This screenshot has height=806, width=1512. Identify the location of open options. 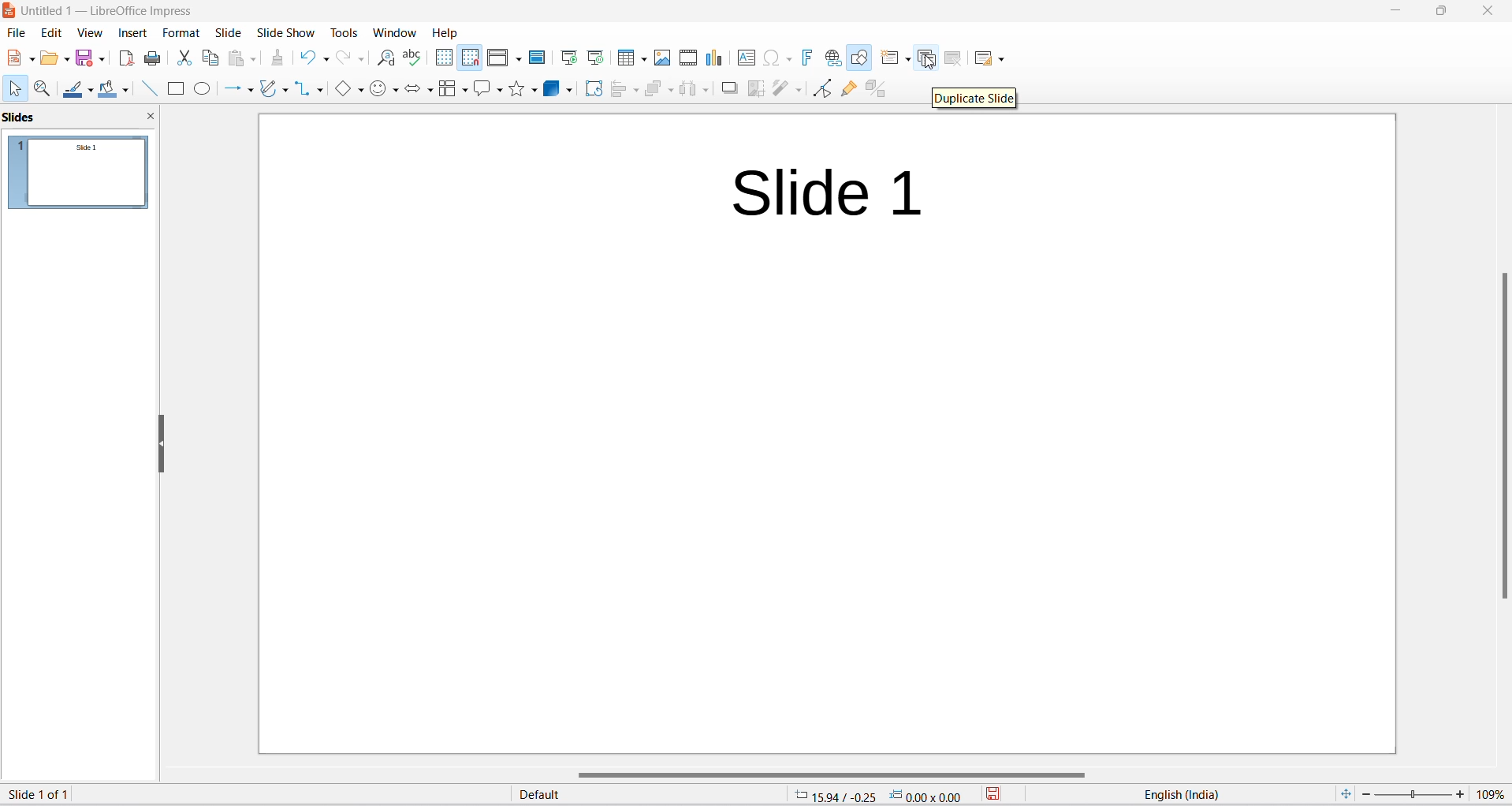
(55, 58).